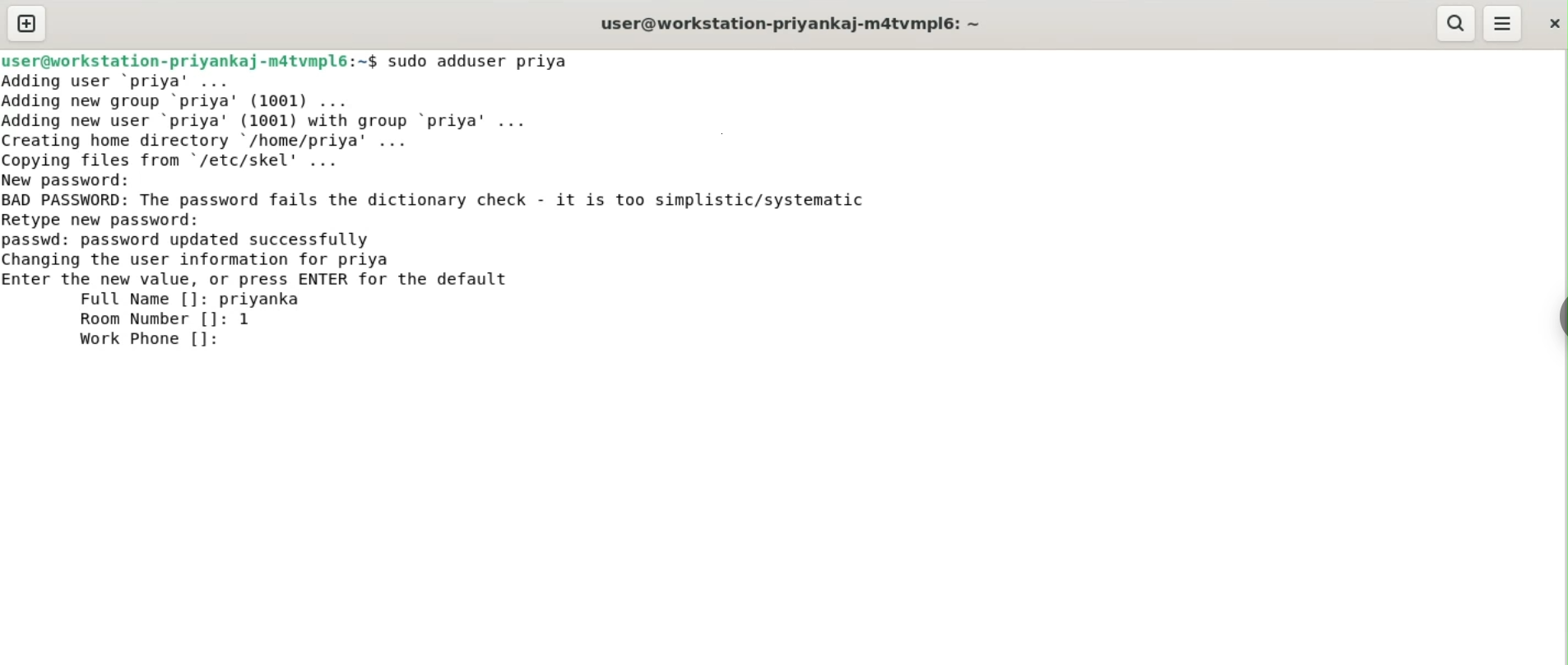 Image resolution: width=1568 pixels, height=665 pixels. What do you see at coordinates (1503, 24) in the screenshot?
I see `menu` at bounding box center [1503, 24].